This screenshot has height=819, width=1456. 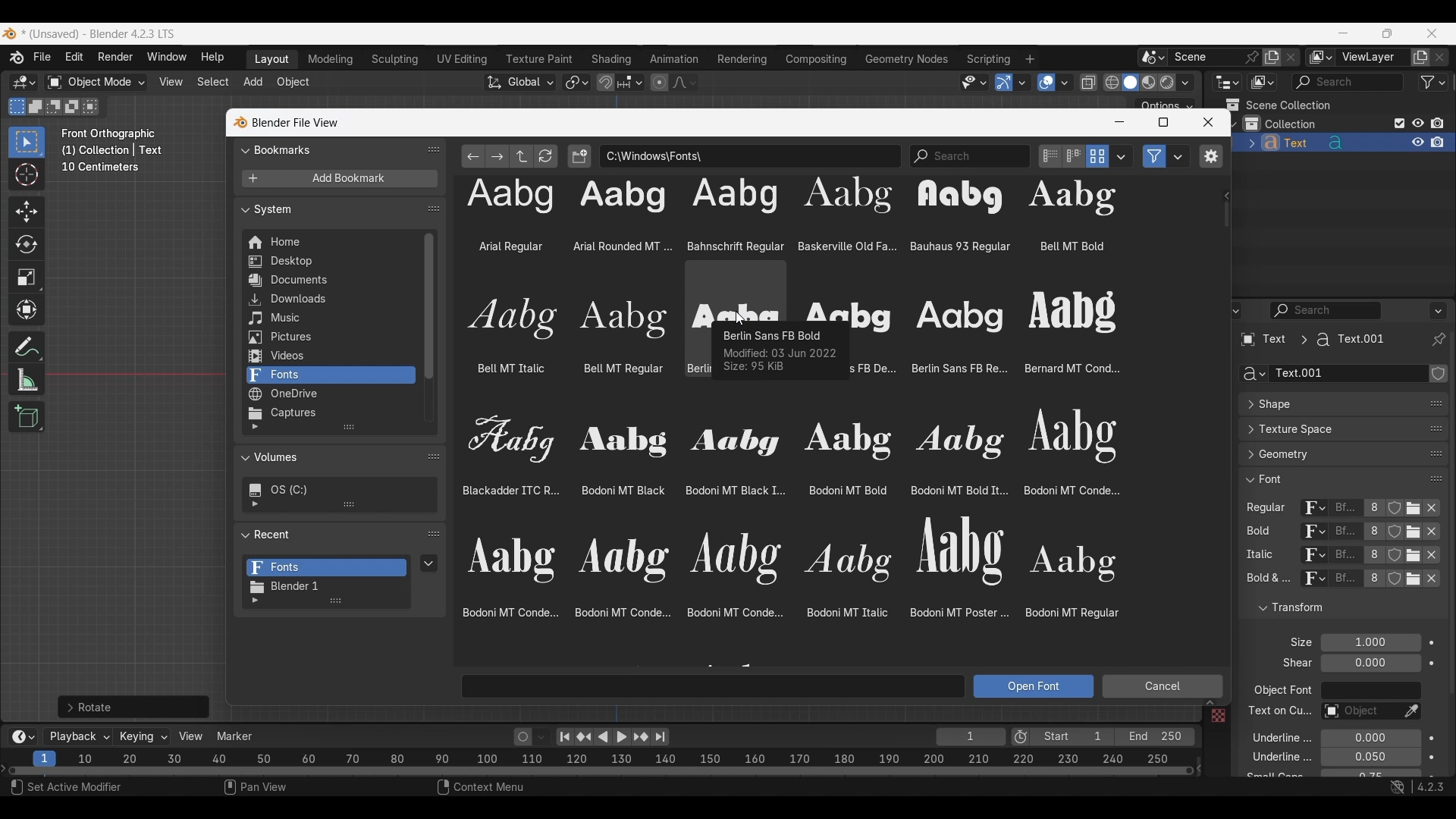 What do you see at coordinates (1225, 196) in the screenshot?
I see `Show path history` at bounding box center [1225, 196].